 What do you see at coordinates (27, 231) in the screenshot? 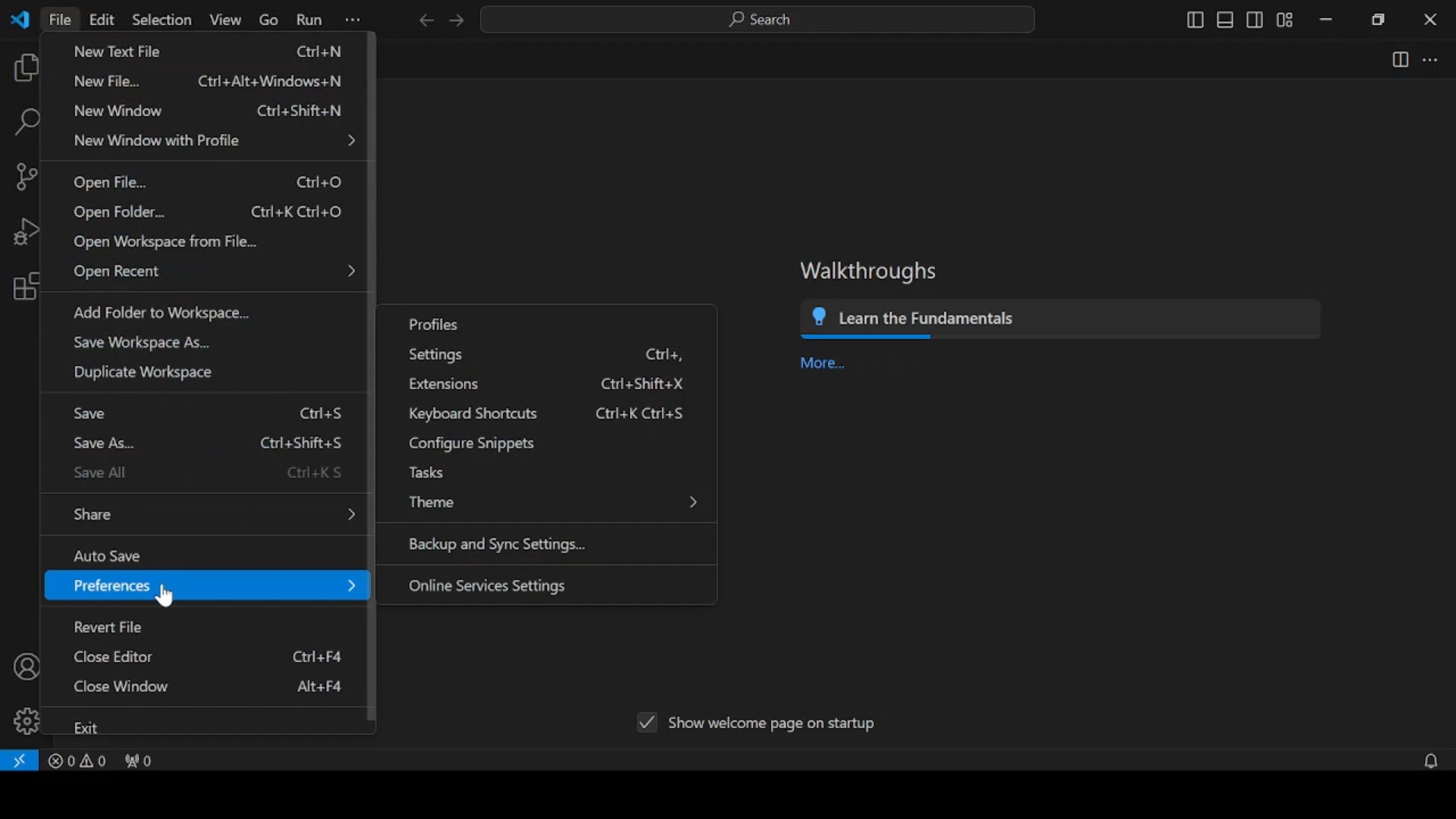
I see `run and debug` at bounding box center [27, 231].